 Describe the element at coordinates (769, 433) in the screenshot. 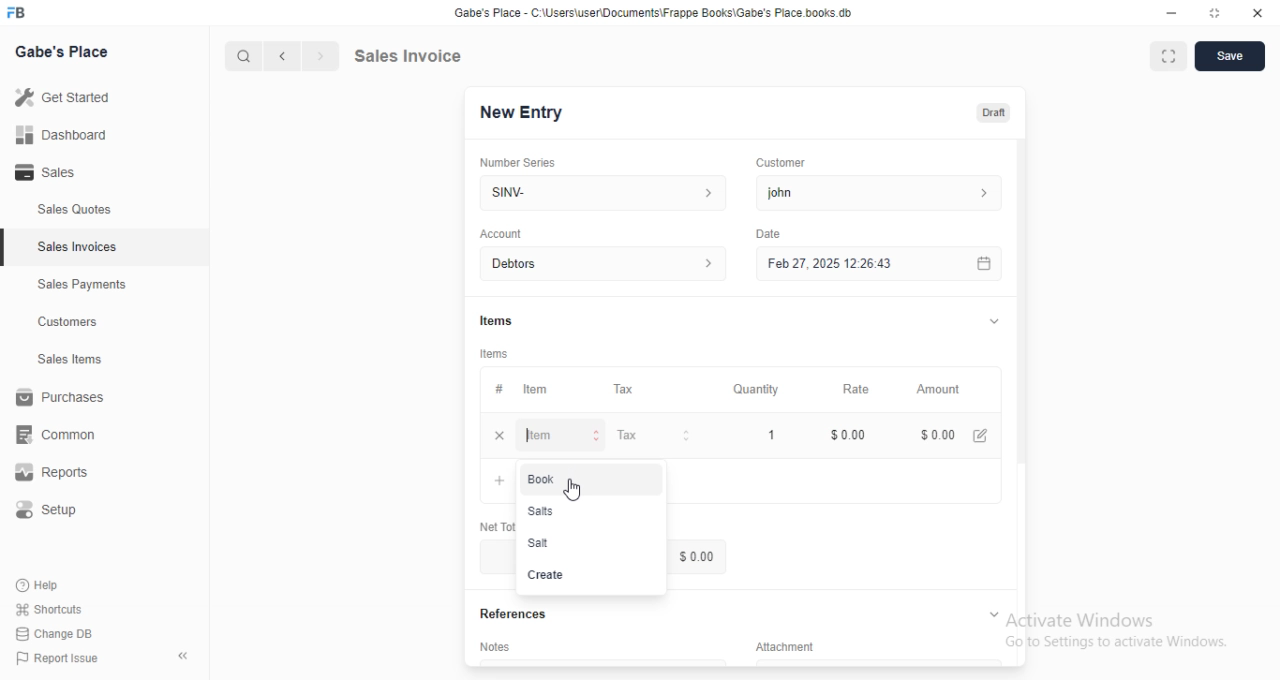

I see `1` at that location.